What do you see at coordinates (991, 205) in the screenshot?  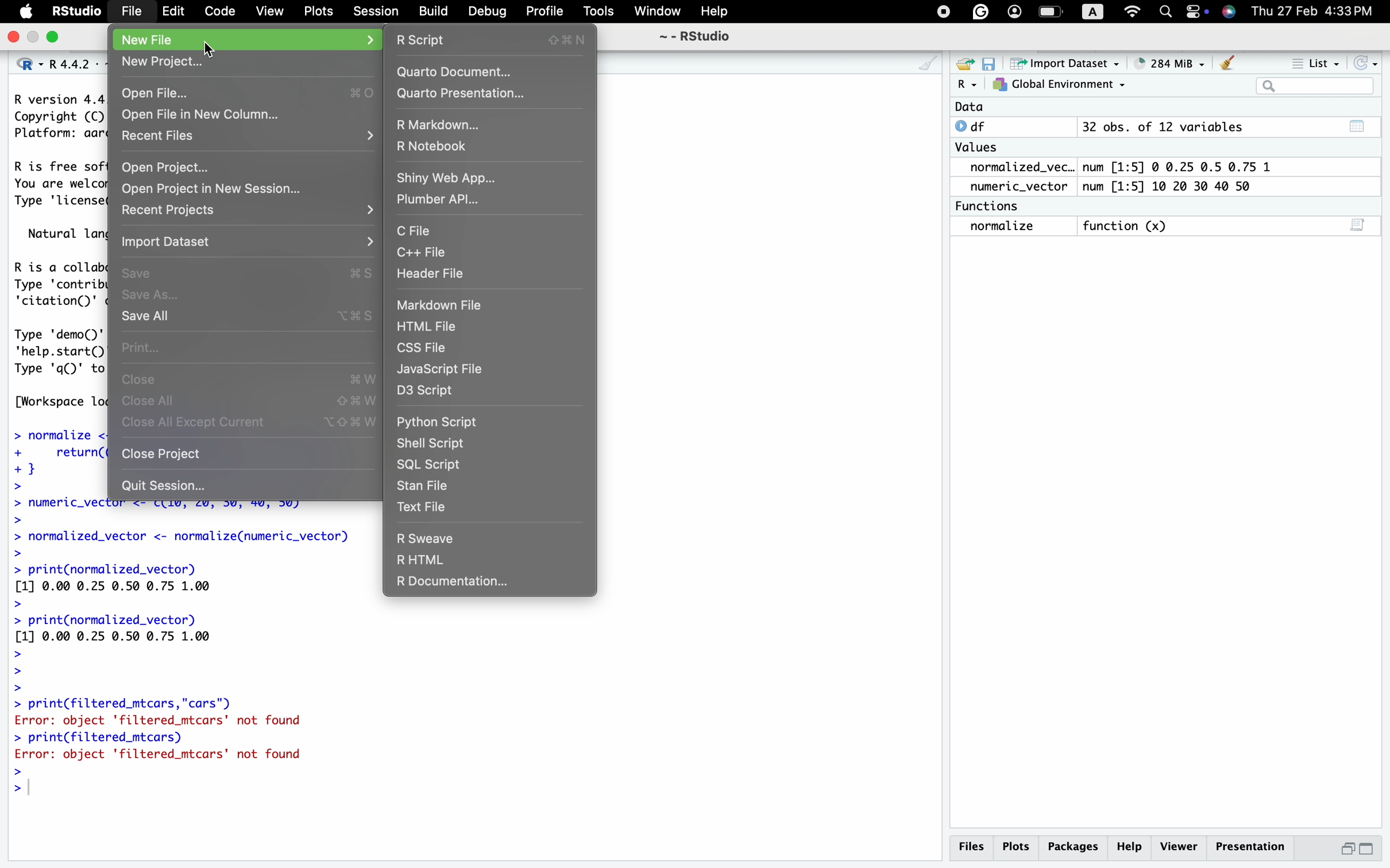 I see `Functions` at bounding box center [991, 205].